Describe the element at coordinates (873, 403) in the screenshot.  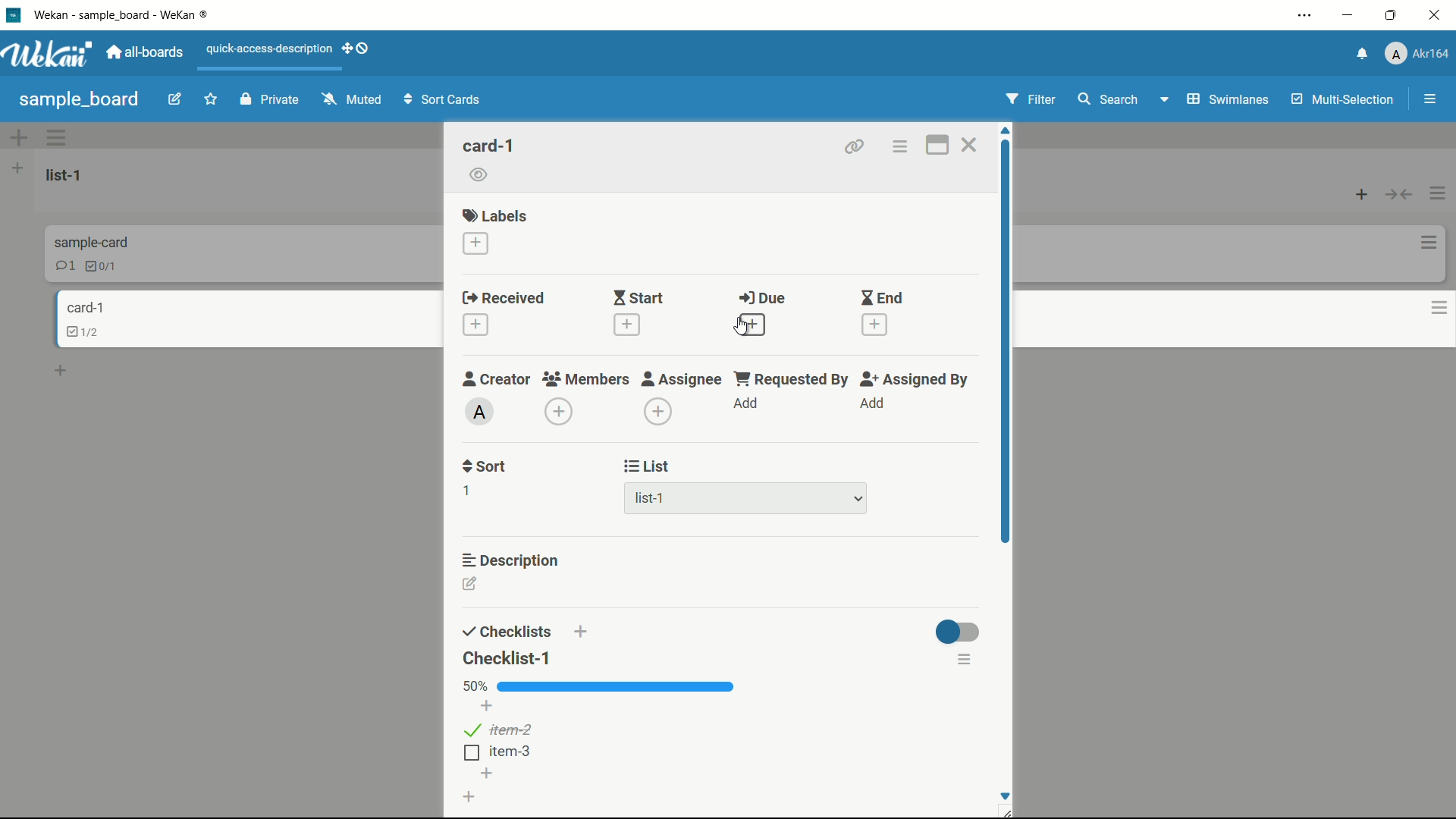
I see `add` at that location.